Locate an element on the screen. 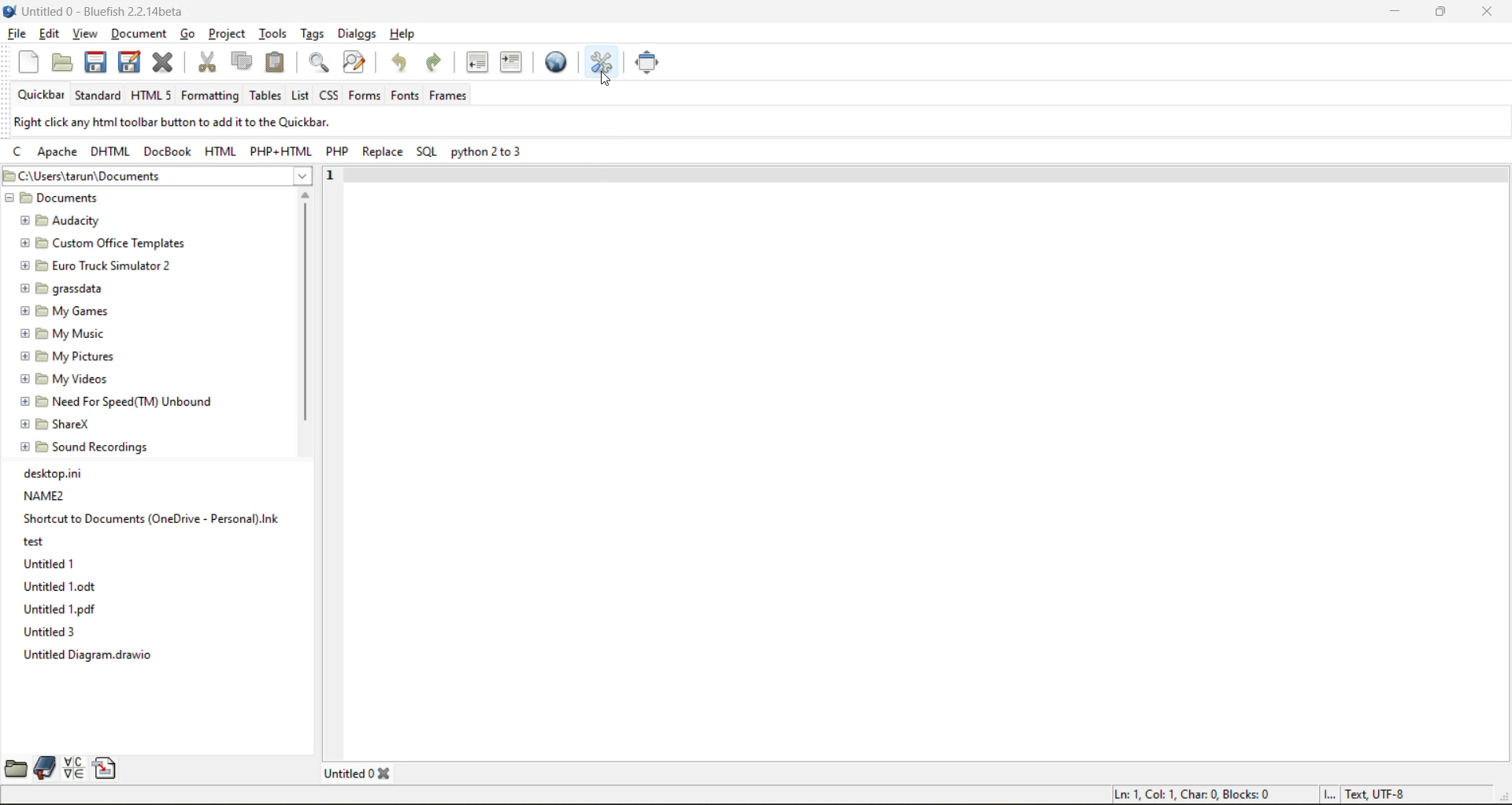 This screenshot has height=805, width=1512. go is located at coordinates (193, 36).